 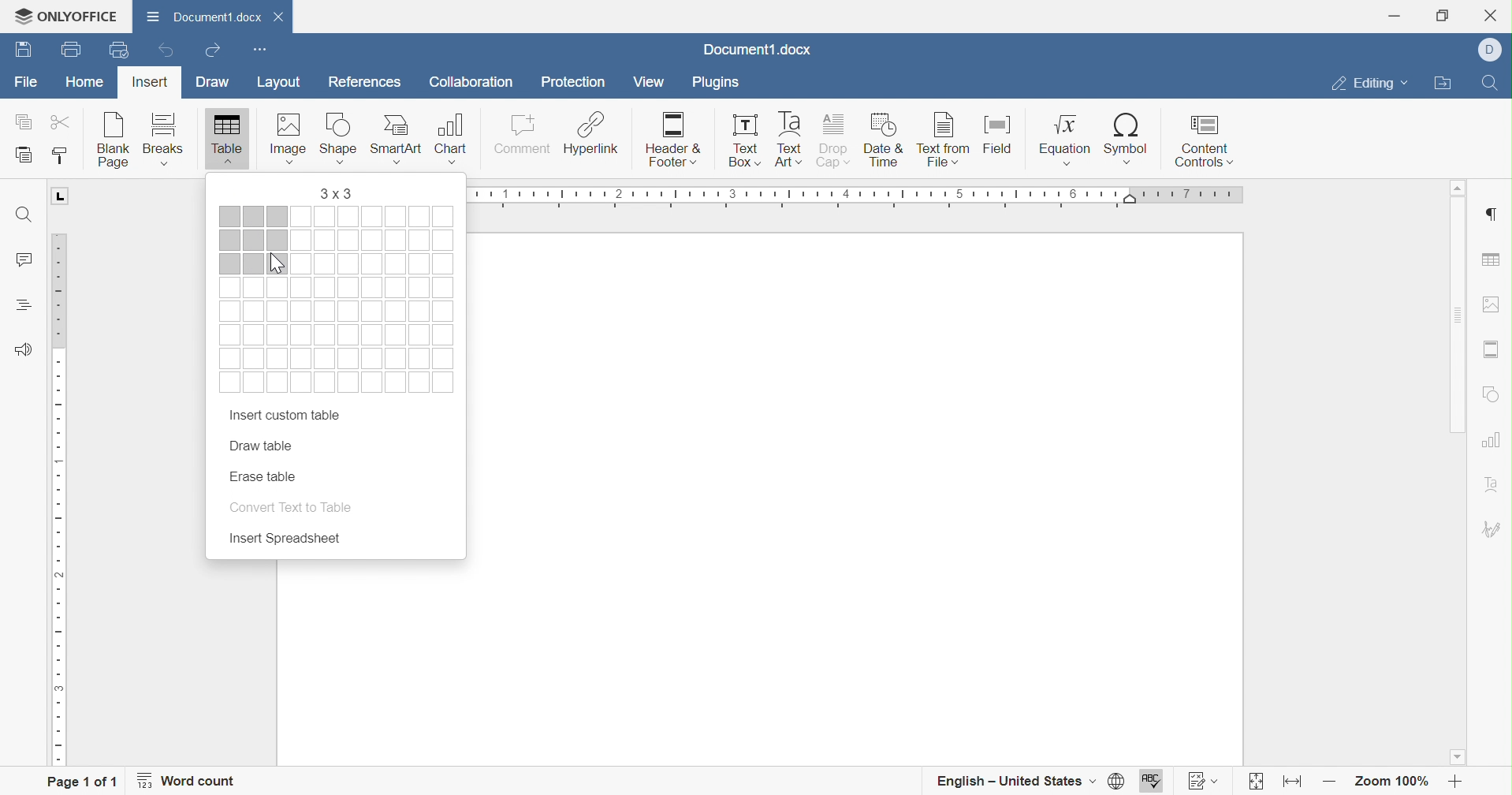 I want to click on Text art settings, so click(x=1494, y=487).